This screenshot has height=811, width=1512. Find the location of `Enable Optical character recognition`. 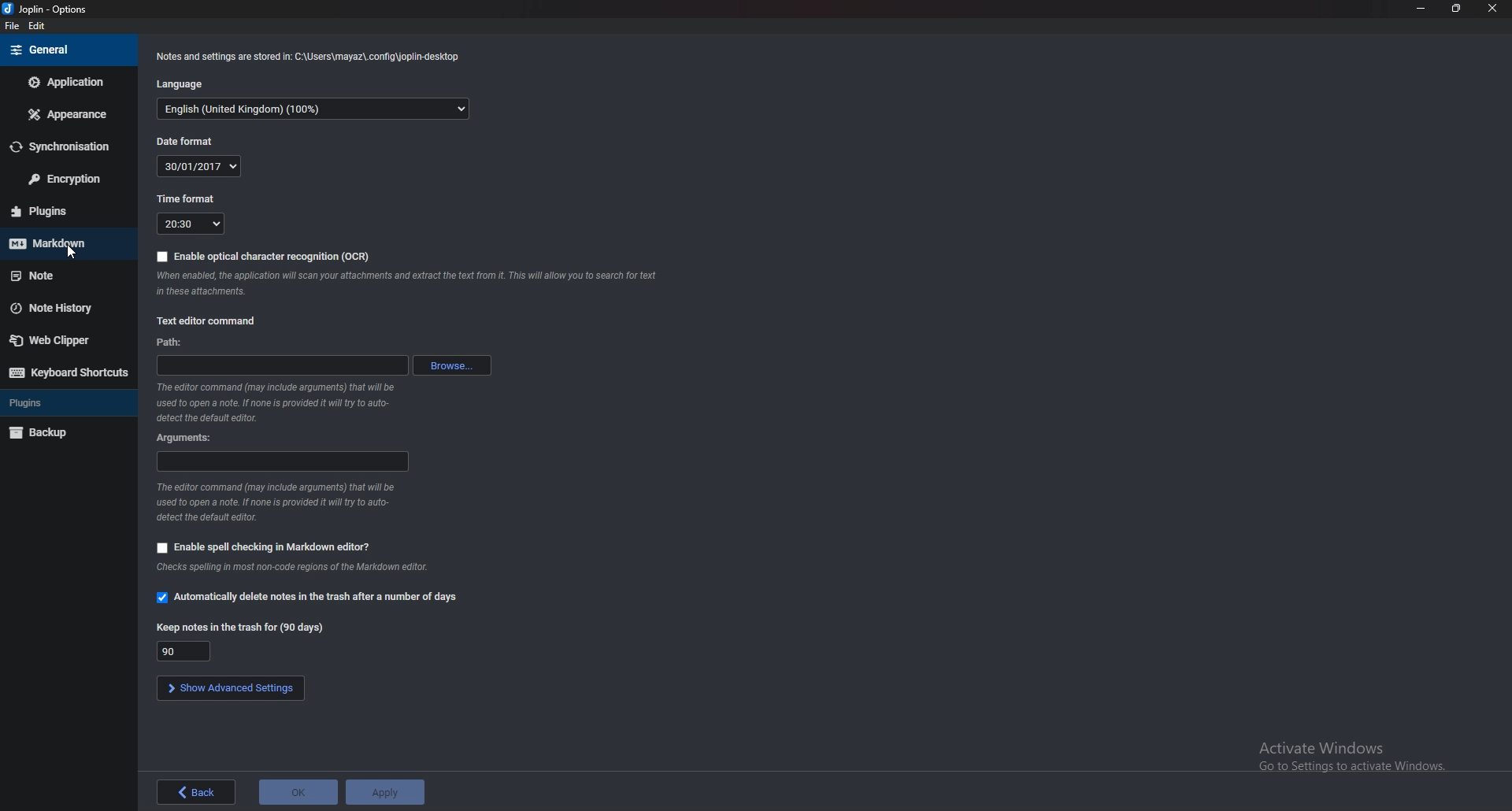

Enable Optical character recognition is located at coordinates (264, 256).